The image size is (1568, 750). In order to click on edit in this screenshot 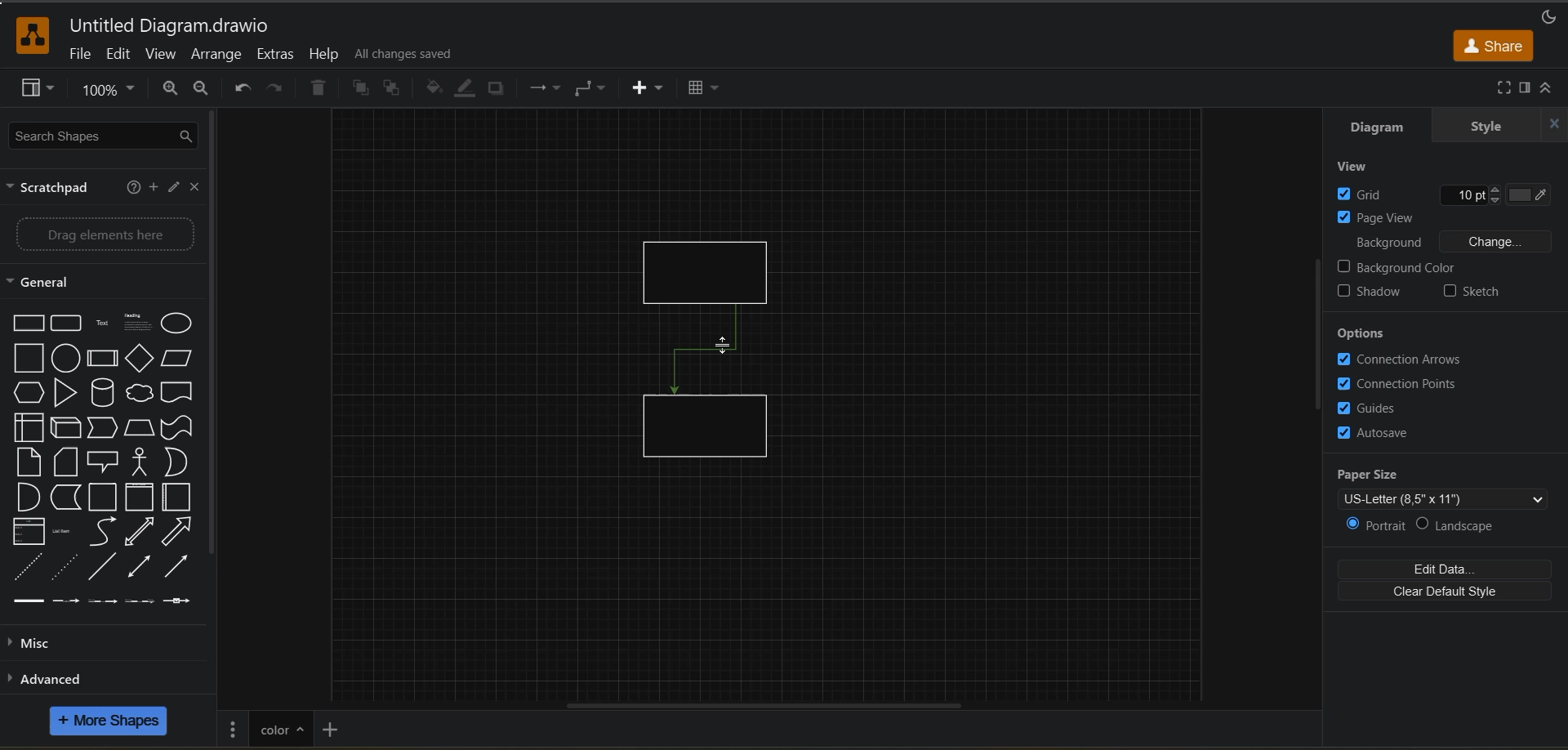, I will do `click(172, 189)`.